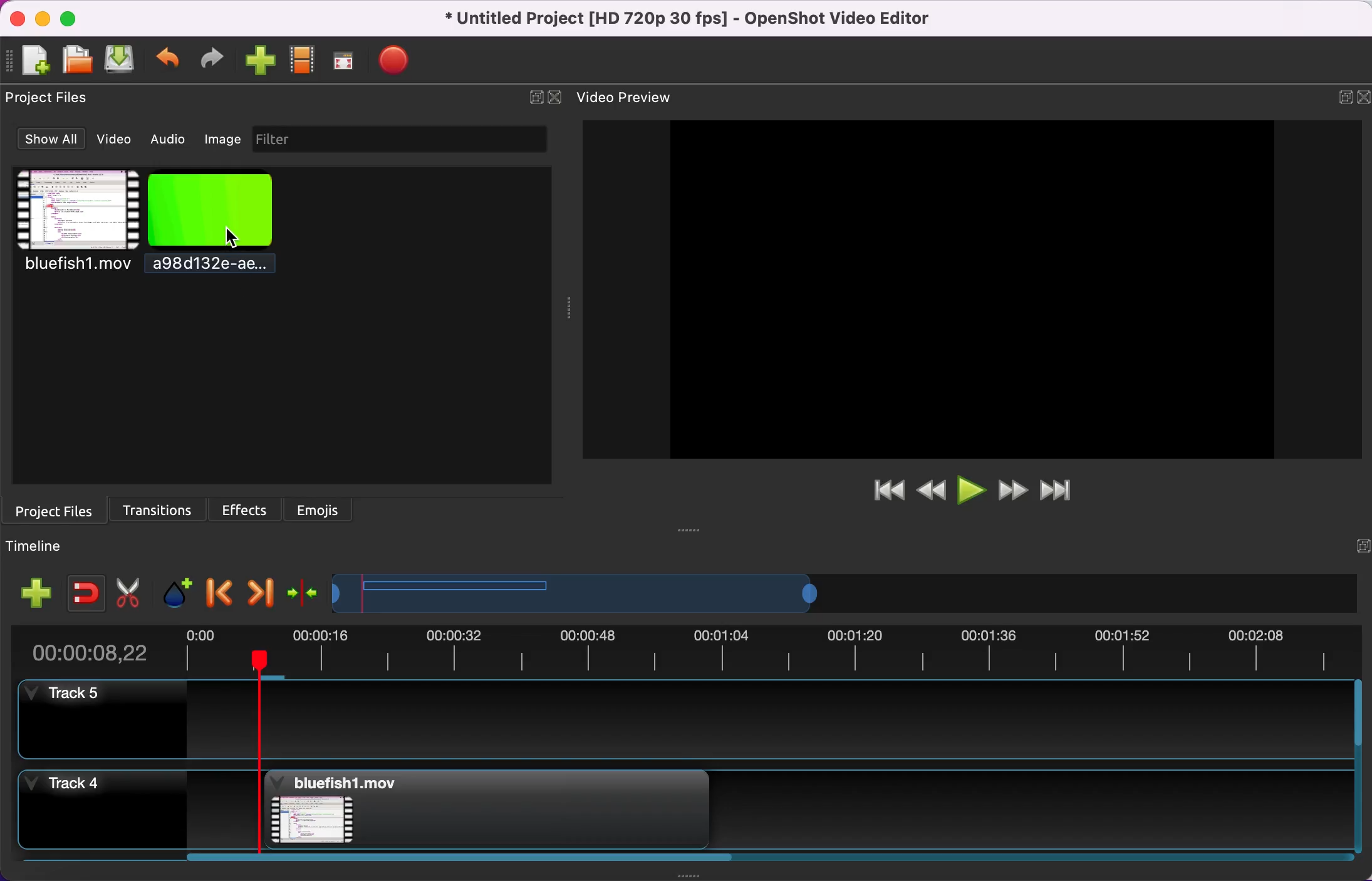 This screenshot has height=881, width=1372. I want to click on emojis, so click(326, 511).